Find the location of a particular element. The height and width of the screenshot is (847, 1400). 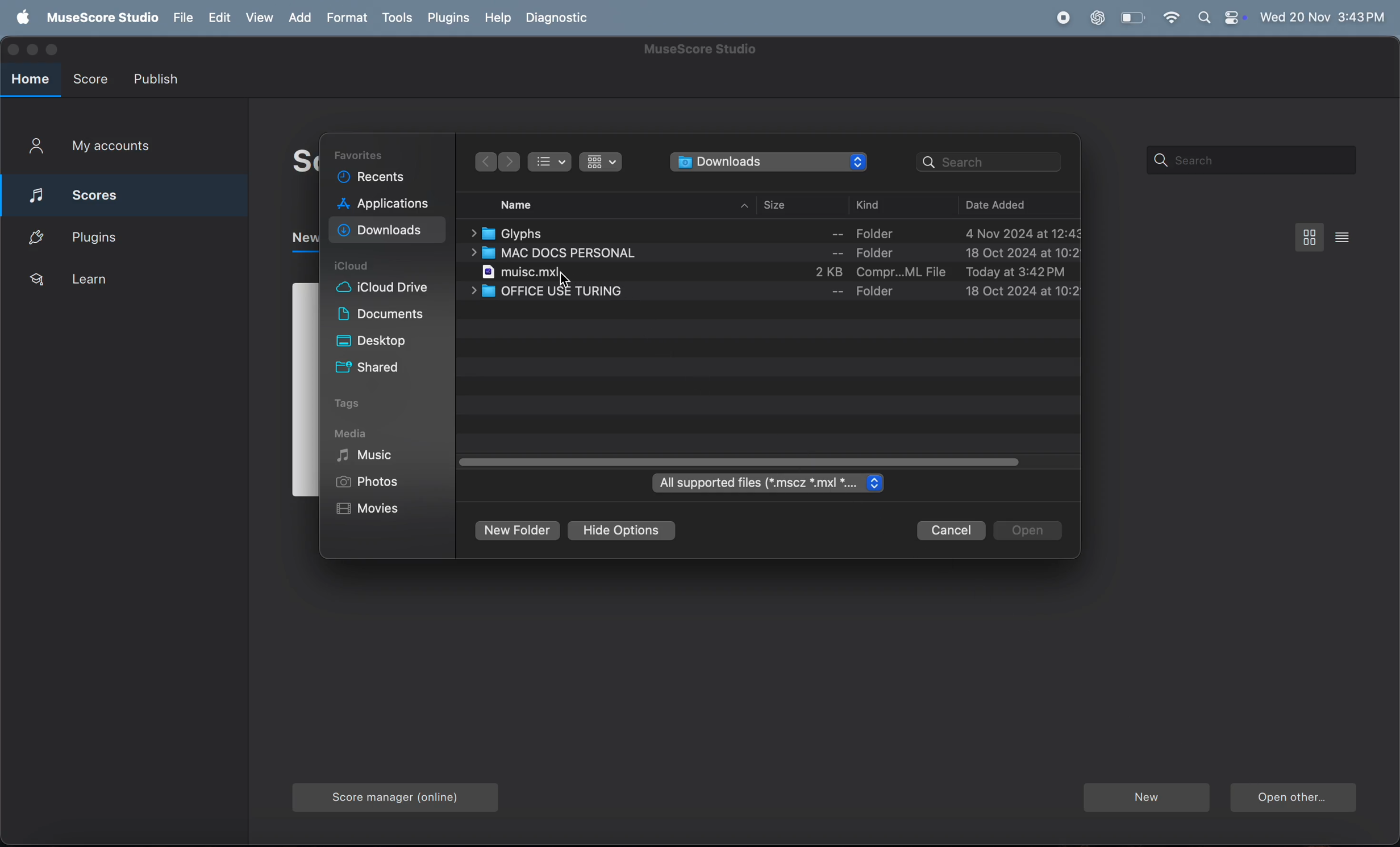

chatgpt is located at coordinates (1095, 18).